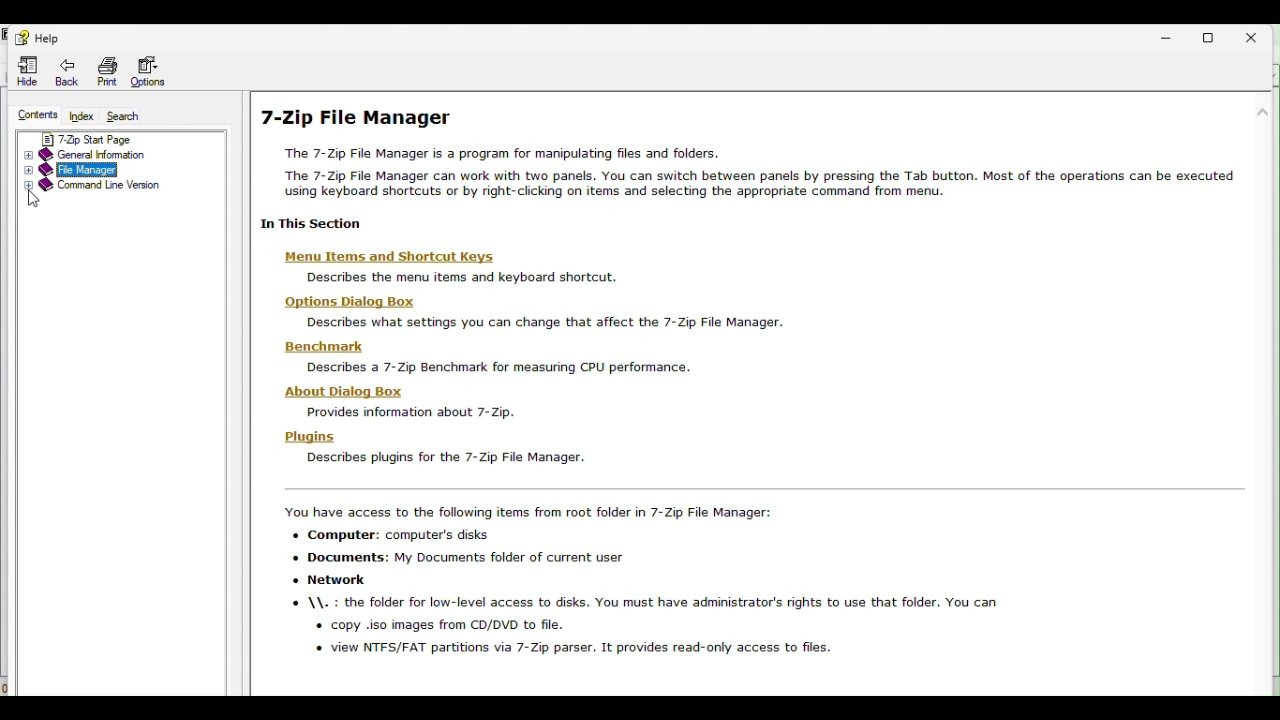 The height and width of the screenshot is (720, 1280). I want to click on Minimise , so click(1171, 35).